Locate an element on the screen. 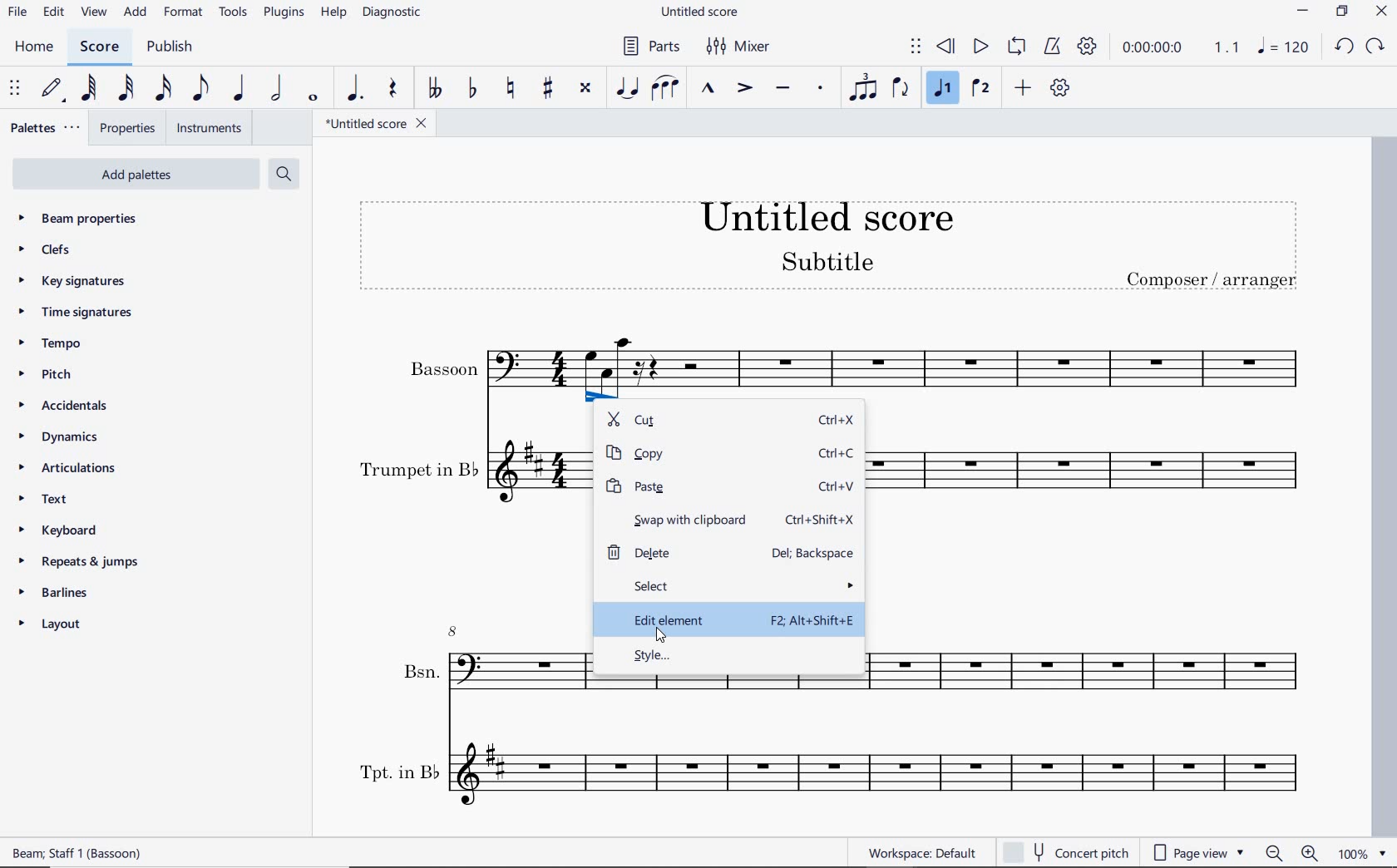 The image size is (1397, 868). loop playback is located at coordinates (1016, 48).